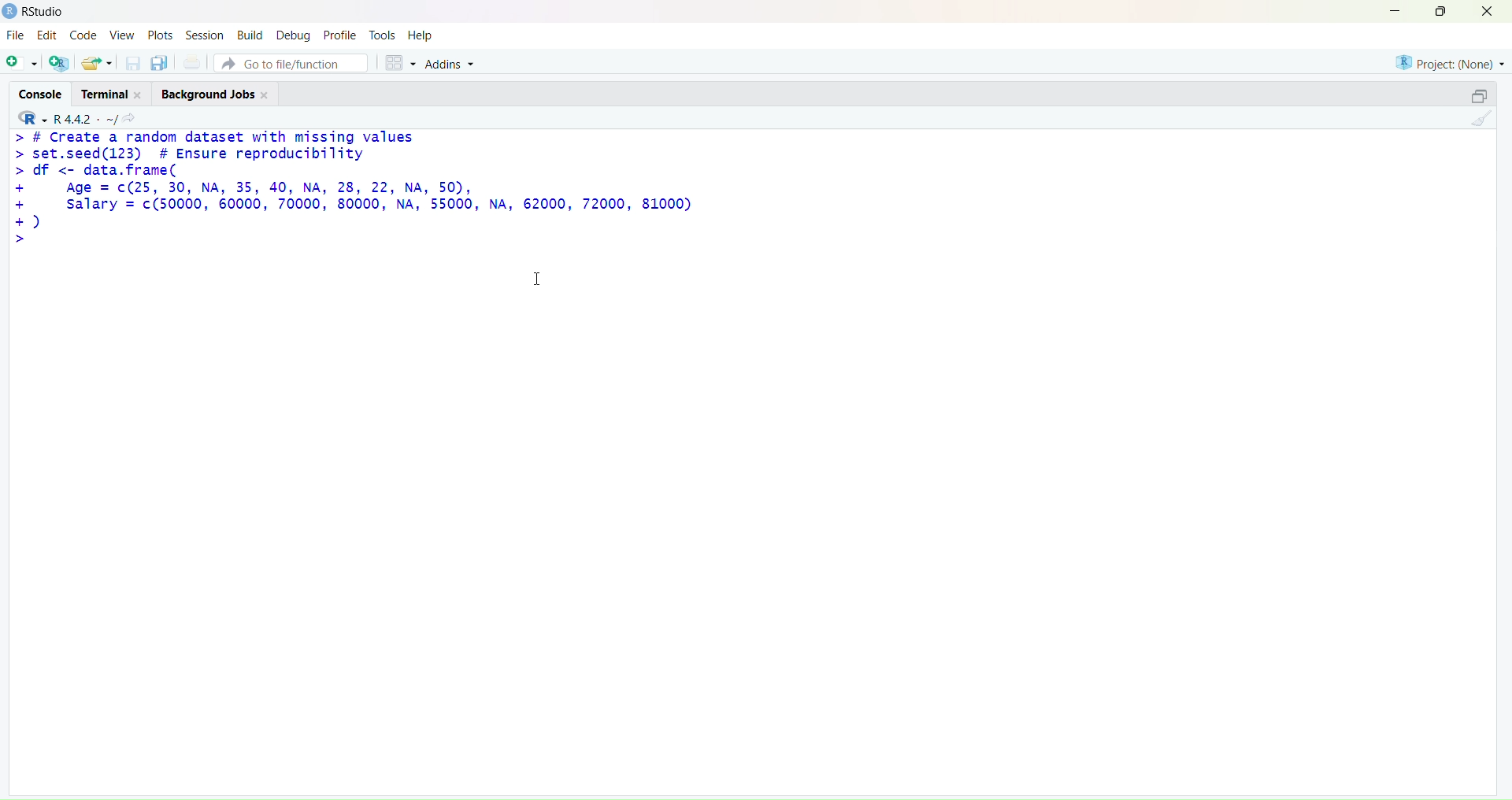 This screenshot has width=1512, height=800. Describe the element at coordinates (83, 35) in the screenshot. I see `code` at that location.